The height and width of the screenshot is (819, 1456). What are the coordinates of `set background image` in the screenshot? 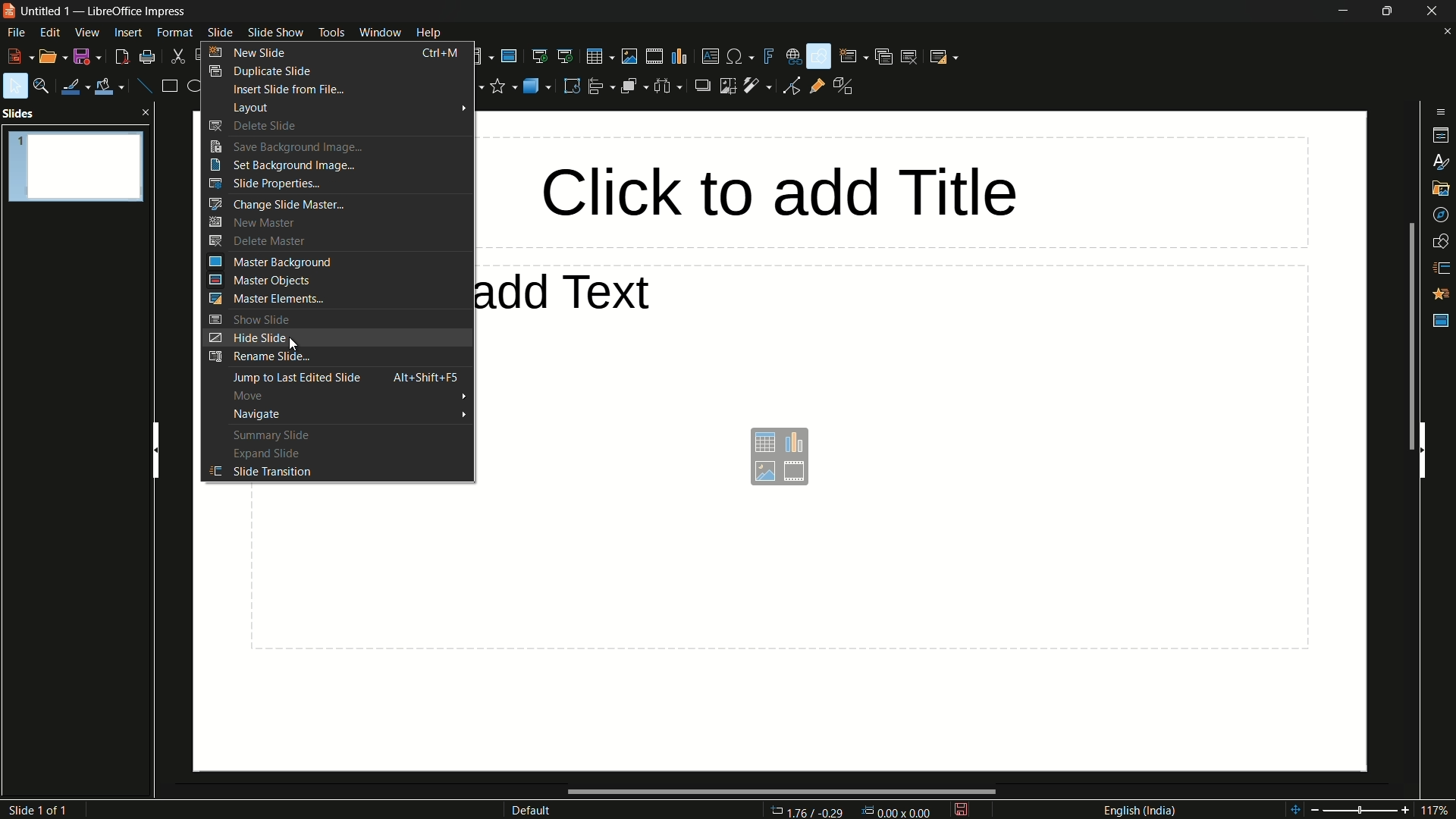 It's located at (283, 165).